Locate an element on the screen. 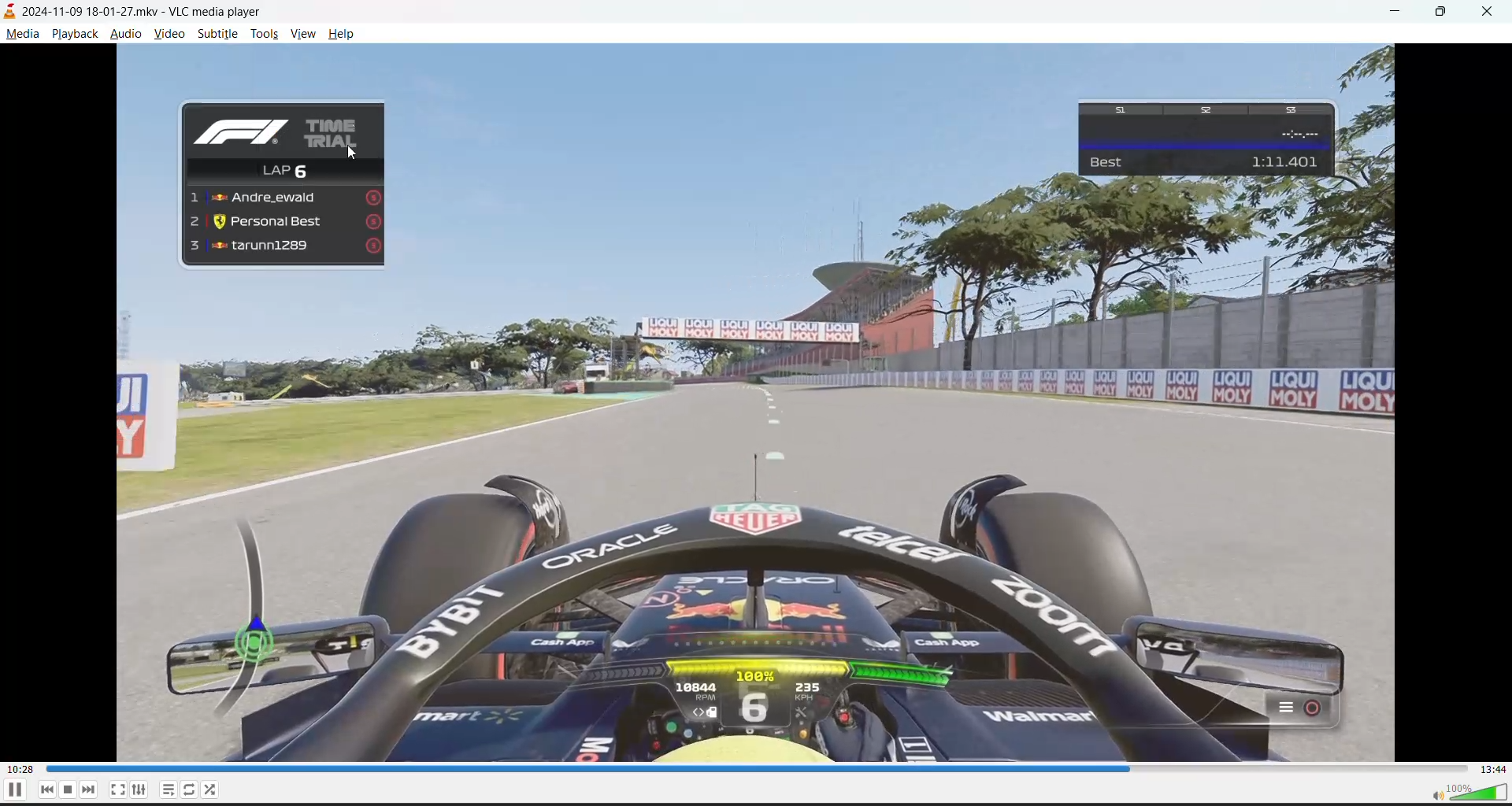 The width and height of the screenshot is (1512, 806). next is located at coordinates (86, 790).